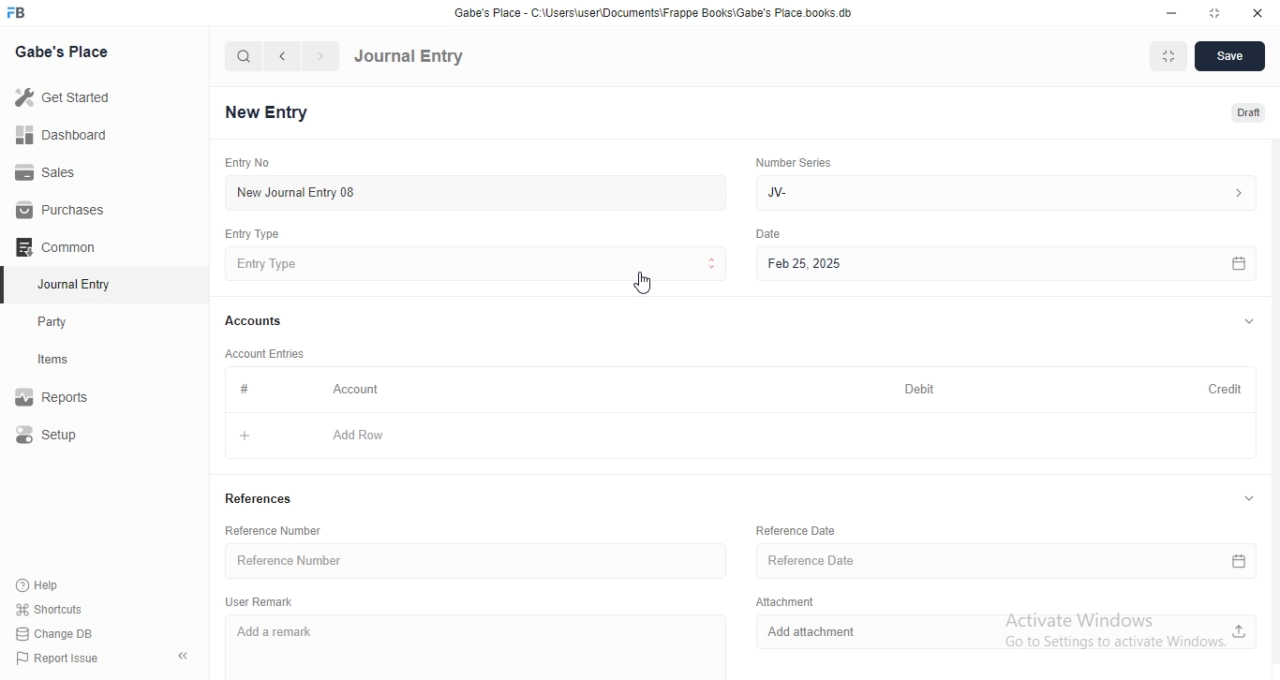  What do you see at coordinates (261, 602) in the screenshot?
I see `User Remark` at bounding box center [261, 602].